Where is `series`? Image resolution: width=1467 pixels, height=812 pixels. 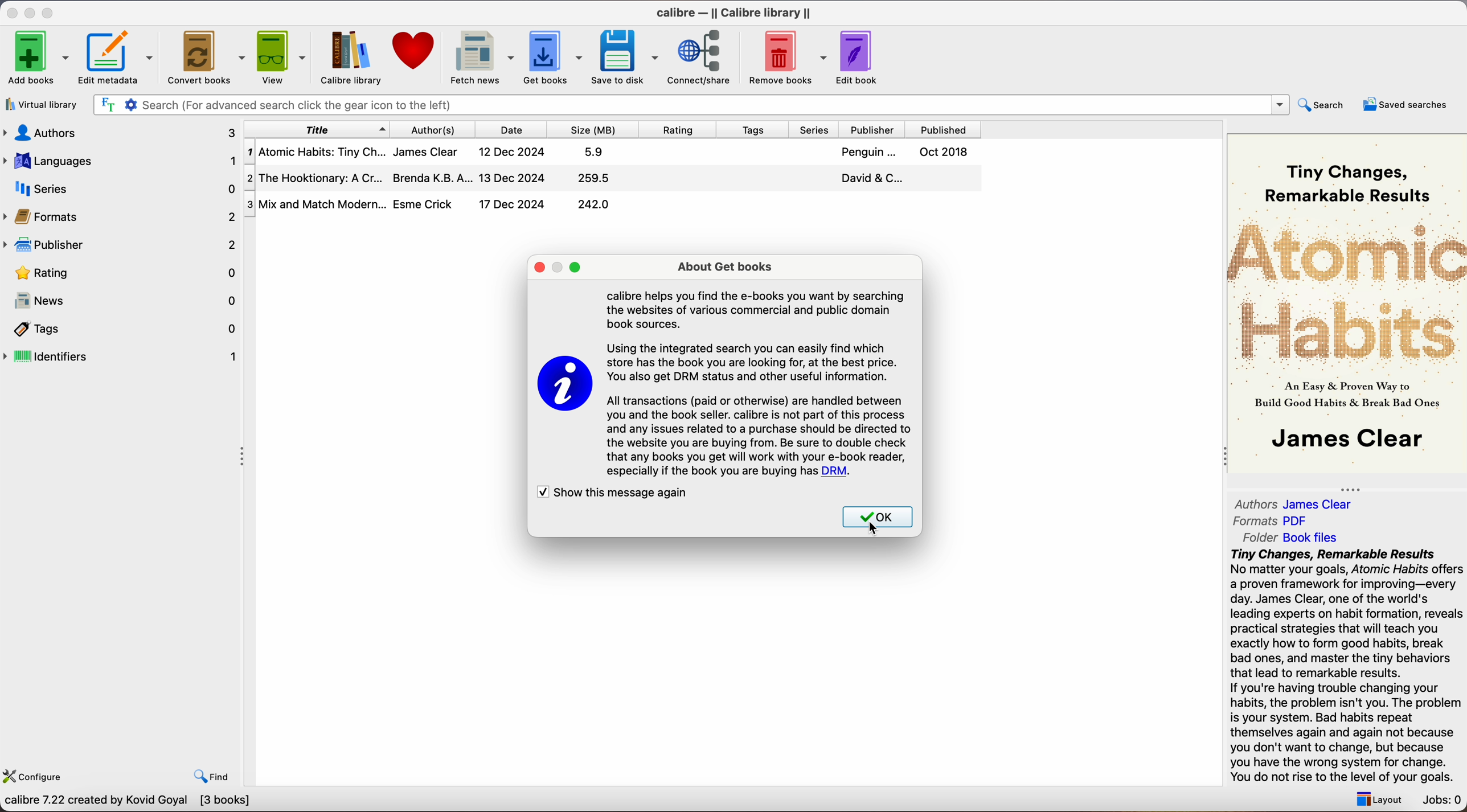
series is located at coordinates (121, 188).